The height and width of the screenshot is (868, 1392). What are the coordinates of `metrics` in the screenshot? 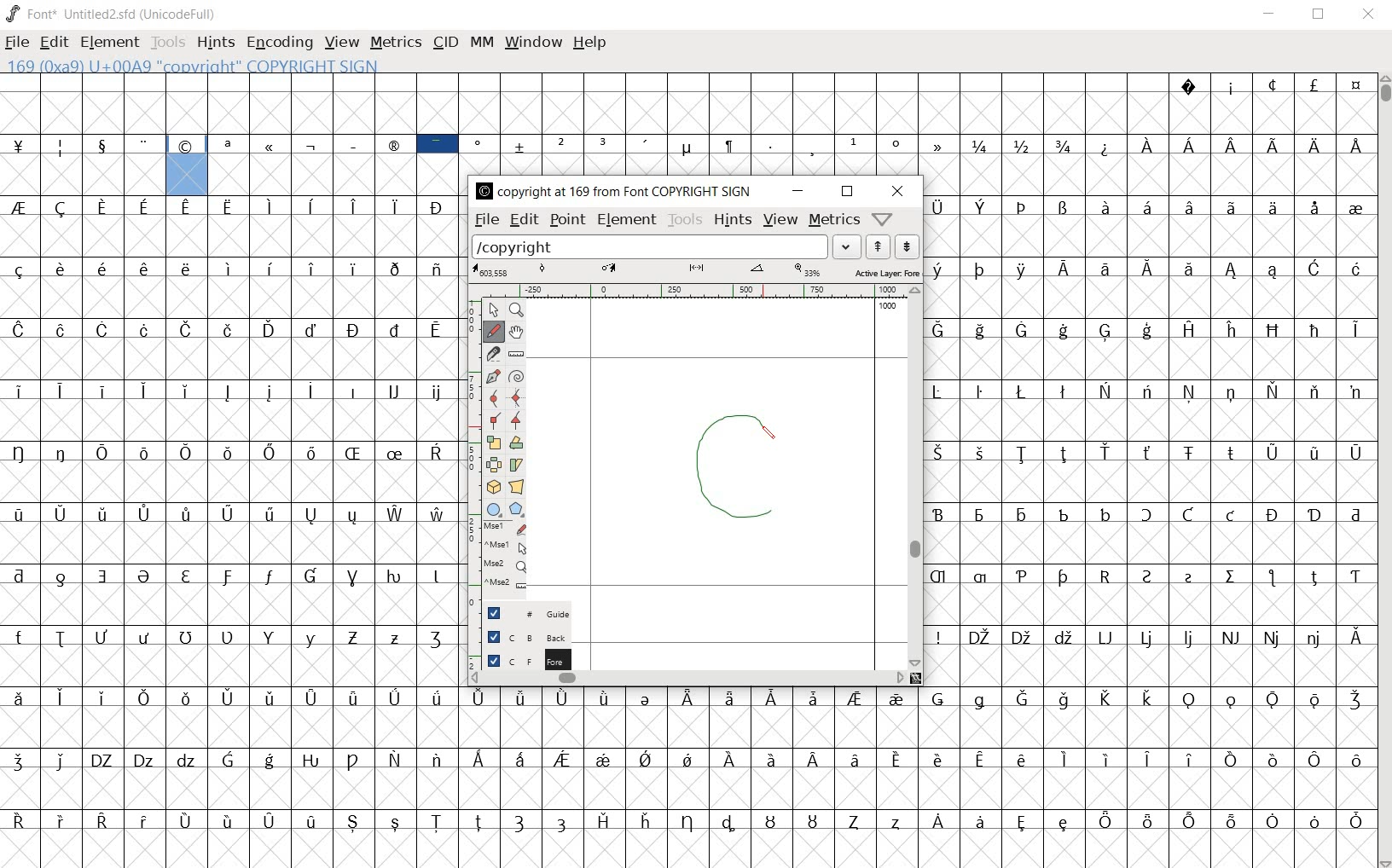 It's located at (832, 219).